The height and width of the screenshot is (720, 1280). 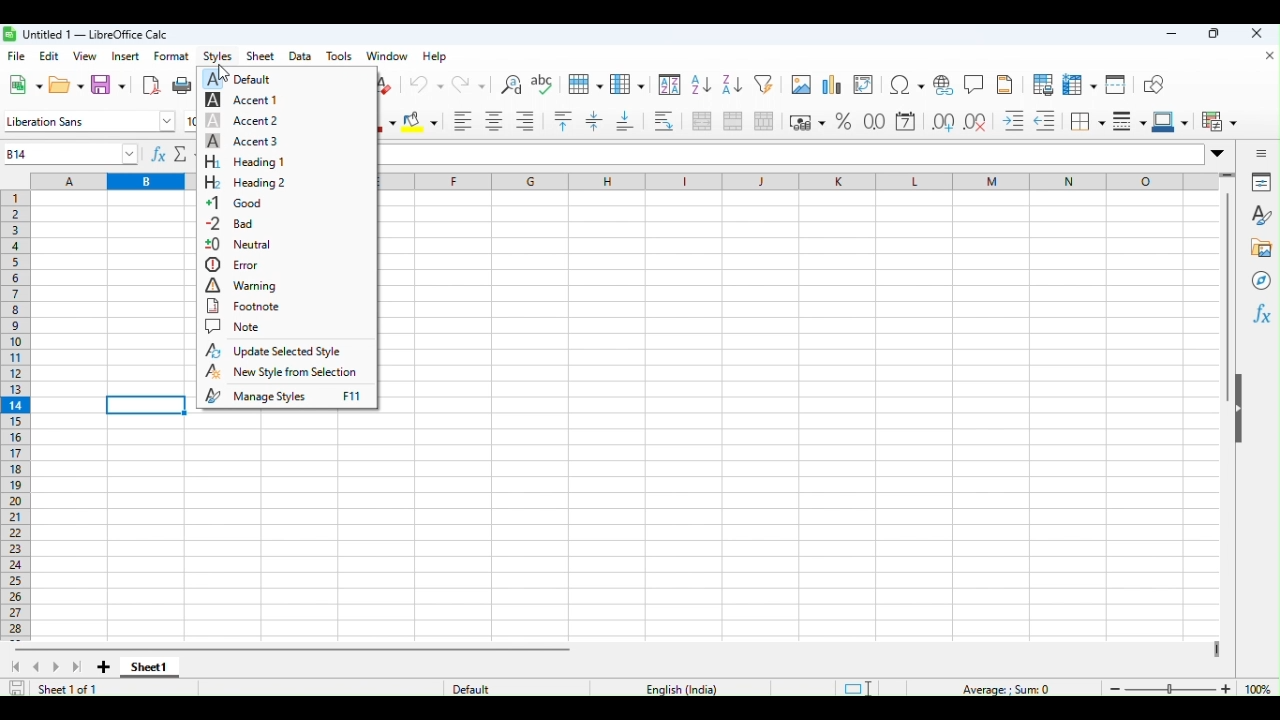 What do you see at coordinates (733, 119) in the screenshot?
I see `Merging` at bounding box center [733, 119].